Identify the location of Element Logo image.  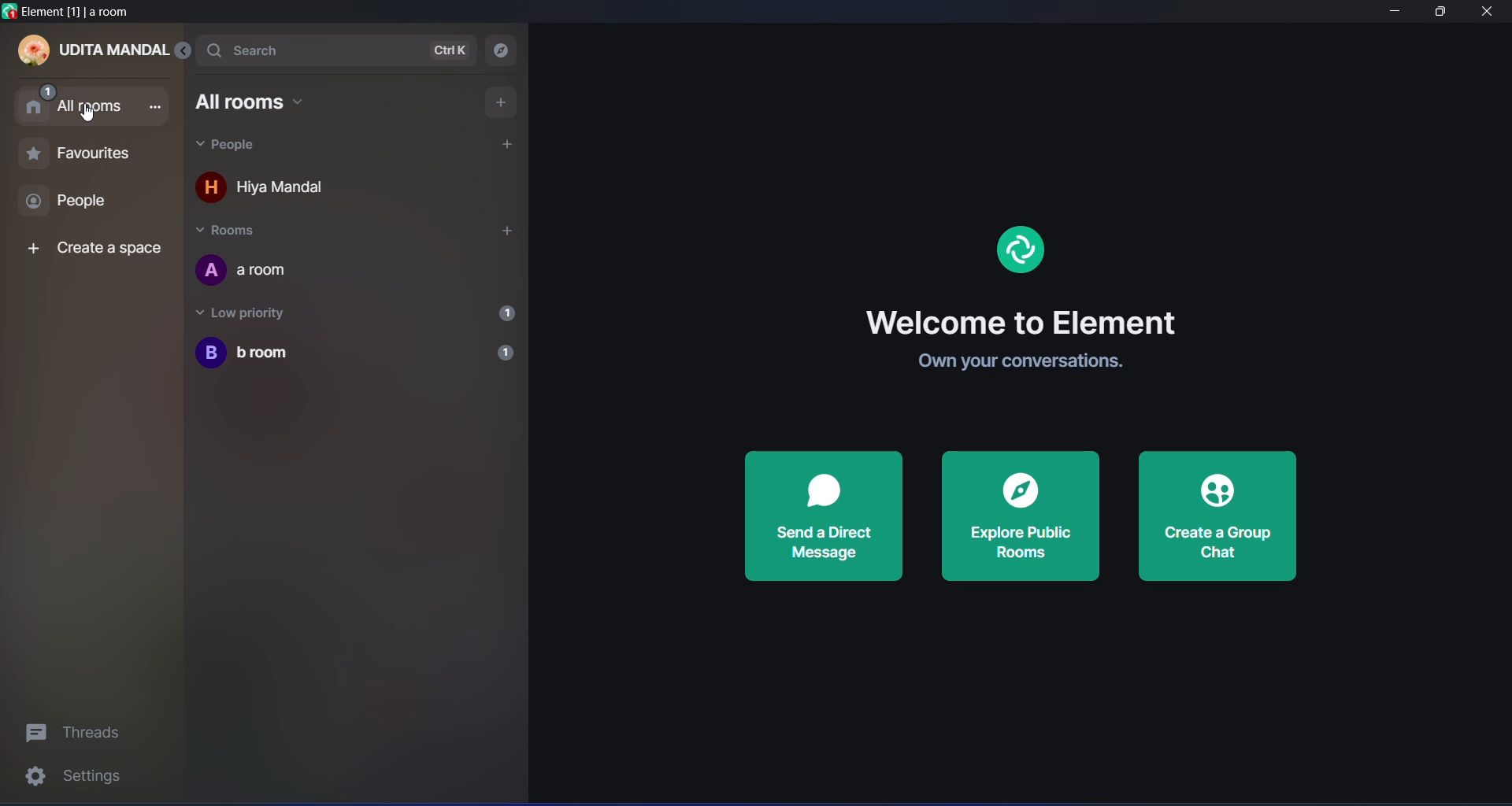
(1021, 252).